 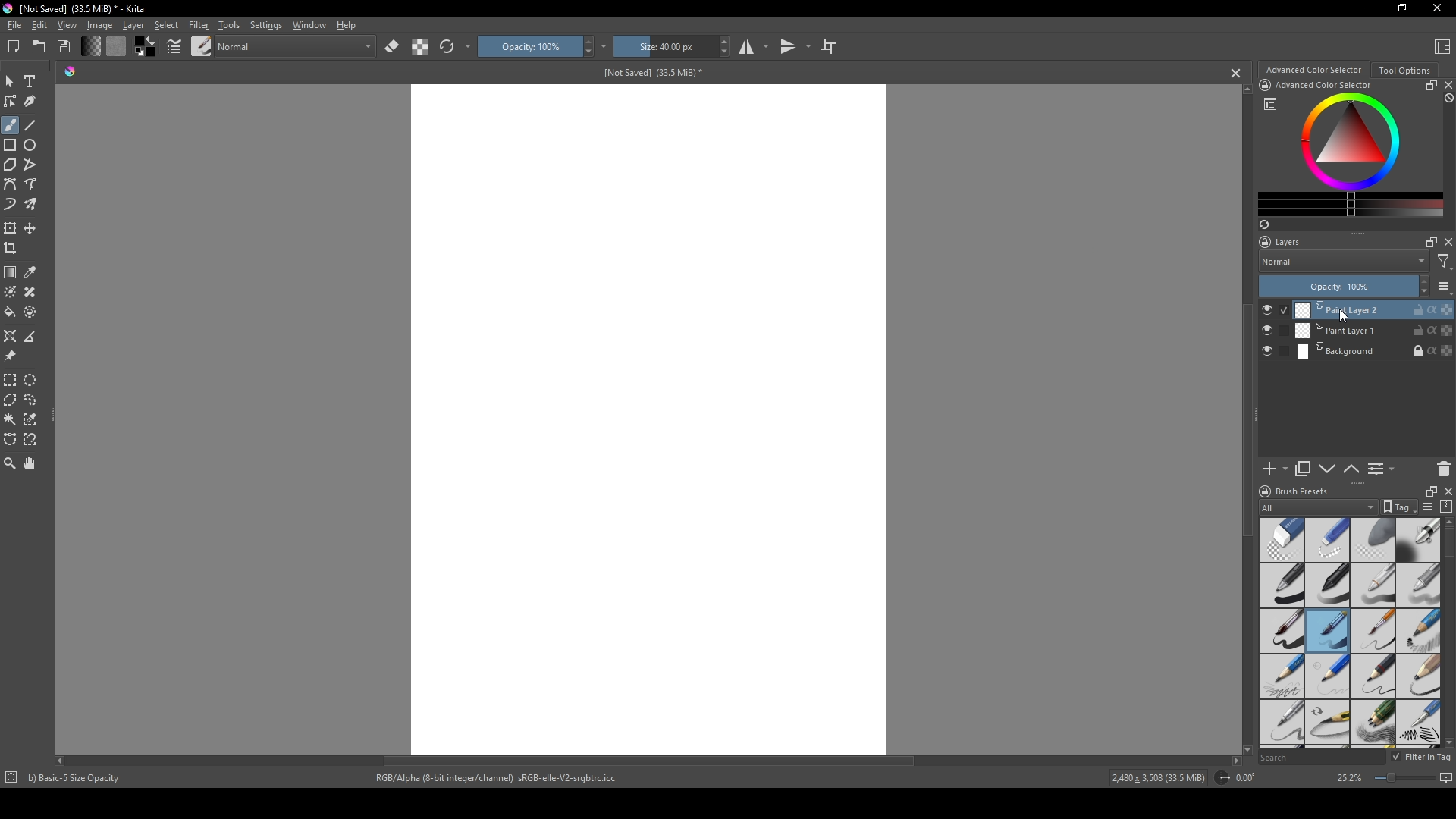 What do you see at coordinates (1244, 89) in the screenshot?
I see `scroll up` at bounding box center [1244, 89].